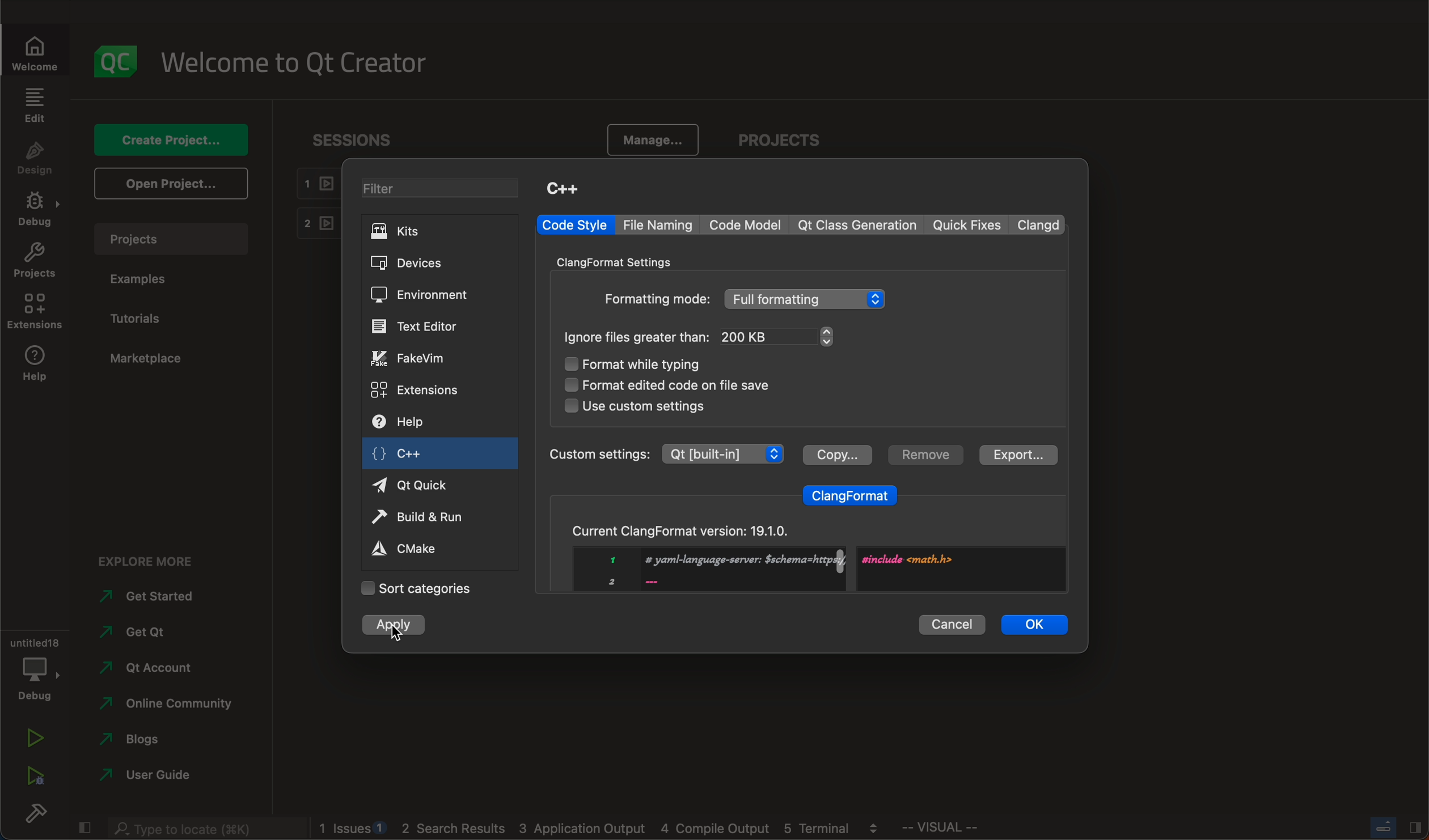 The height and width of the screenshot is (840, 1429). Describe the element at coordinates (34, 366) in the screenshot. I see `help` at that location.